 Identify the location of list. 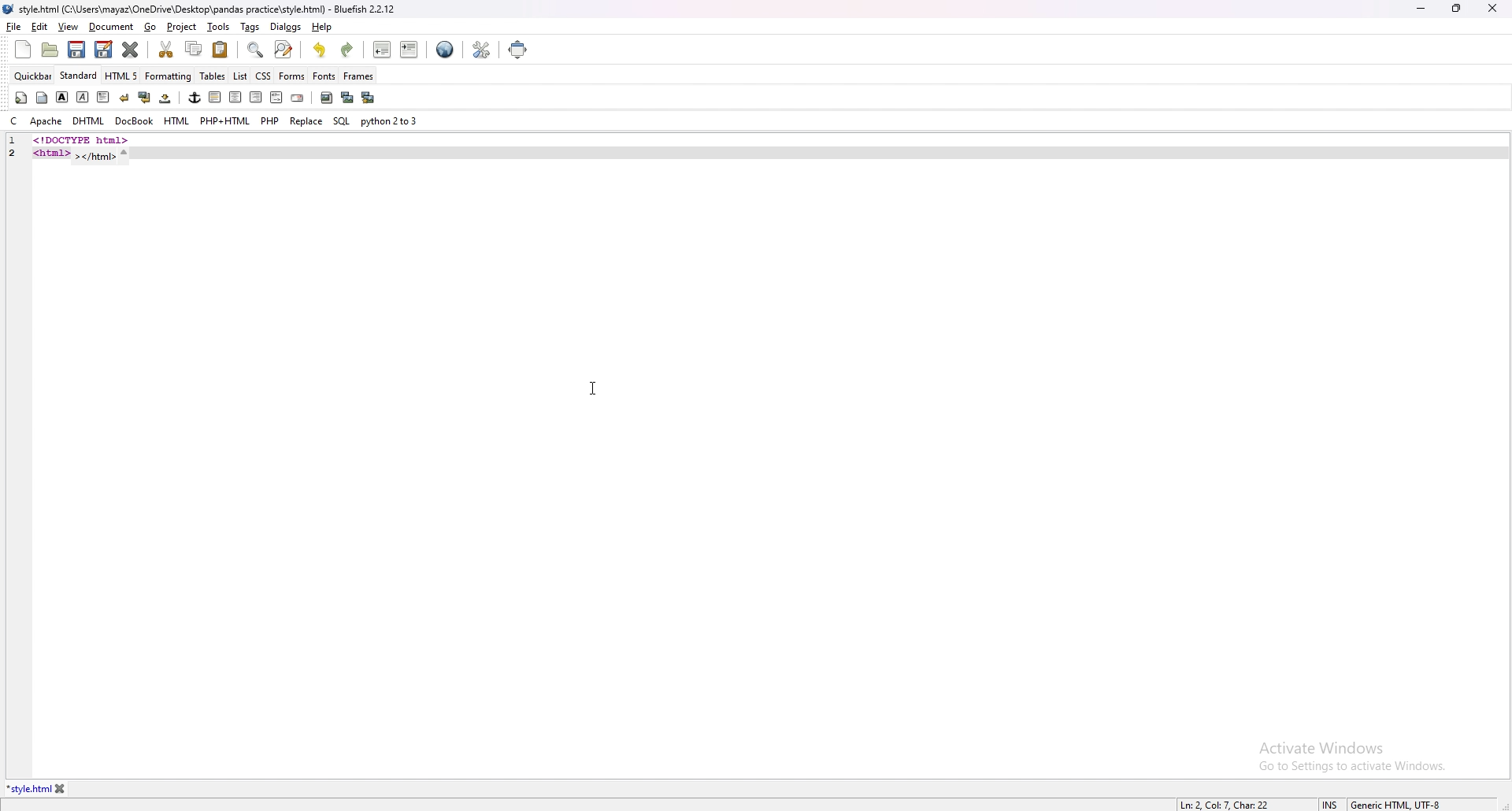
(240, 75).